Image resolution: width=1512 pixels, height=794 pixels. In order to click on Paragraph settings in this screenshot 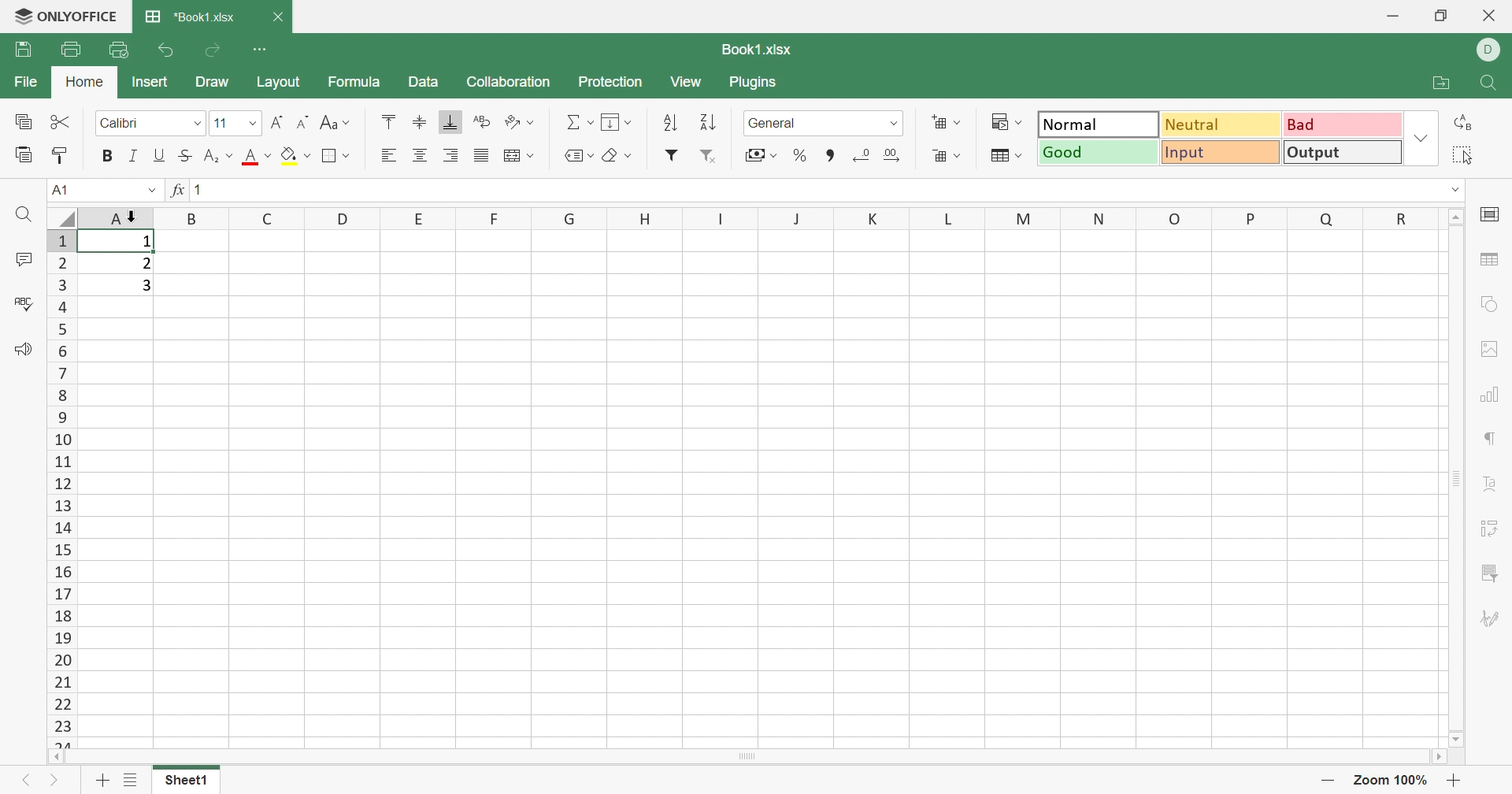, I will do `click(1492, 439)`.